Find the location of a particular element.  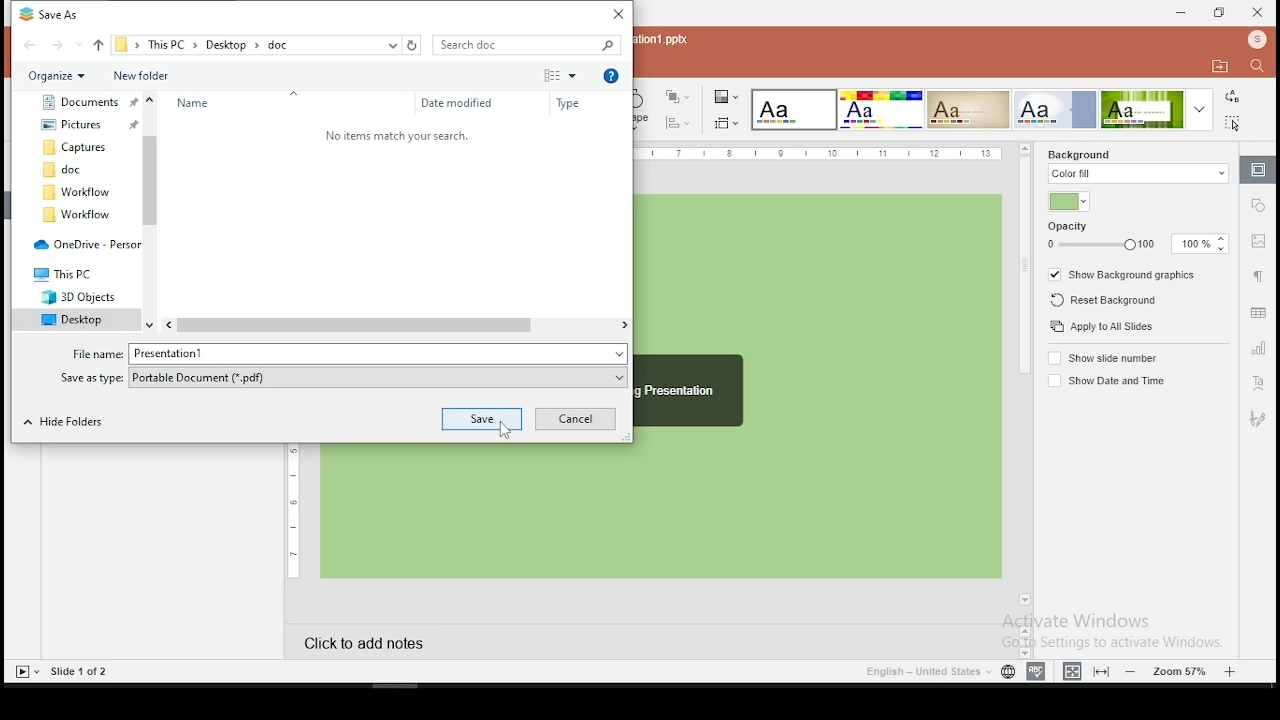

Organize is located at coordinates (58, 75).